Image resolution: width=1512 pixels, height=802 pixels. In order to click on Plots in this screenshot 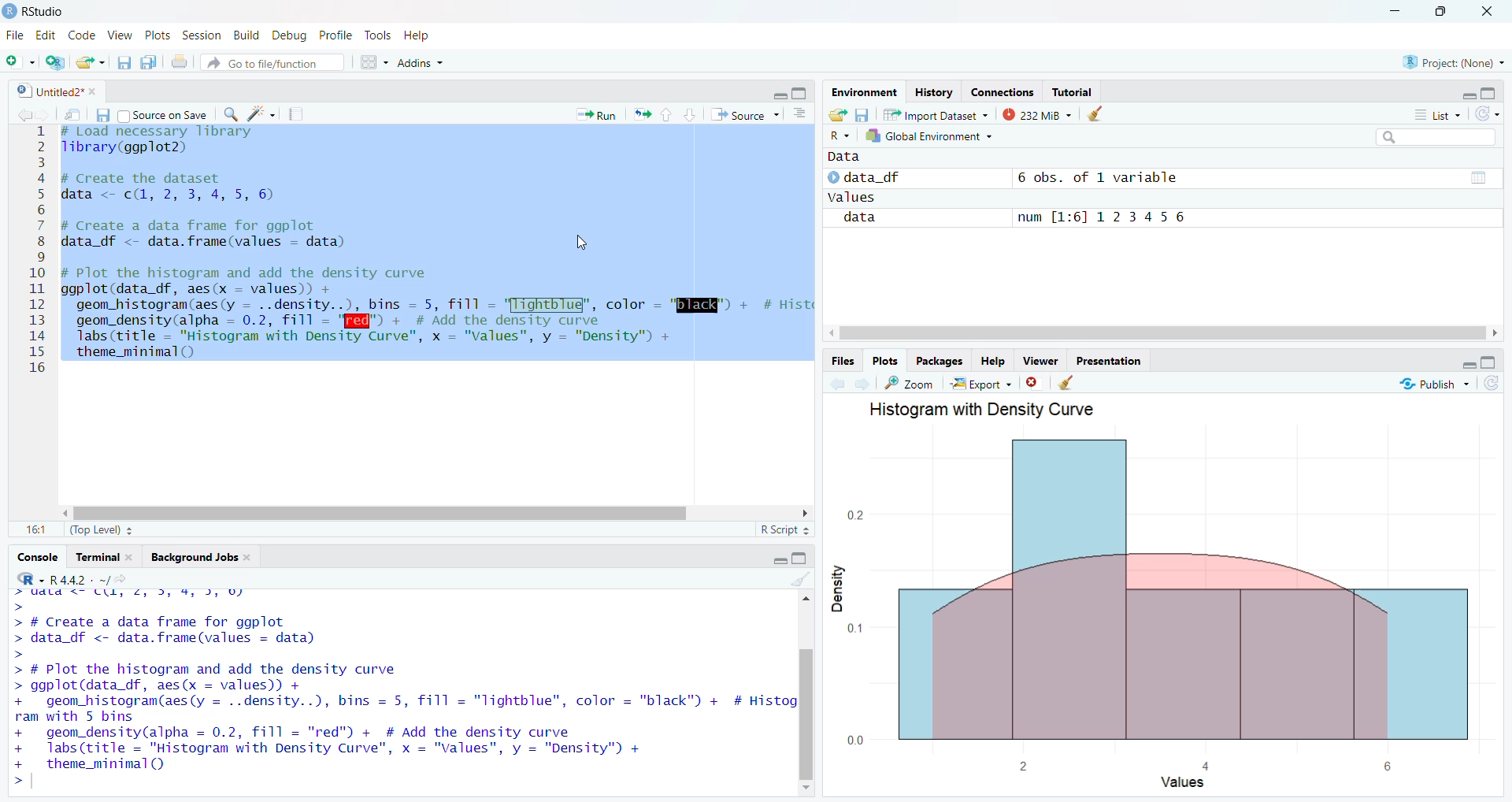, I will do `click(157, 35)`.